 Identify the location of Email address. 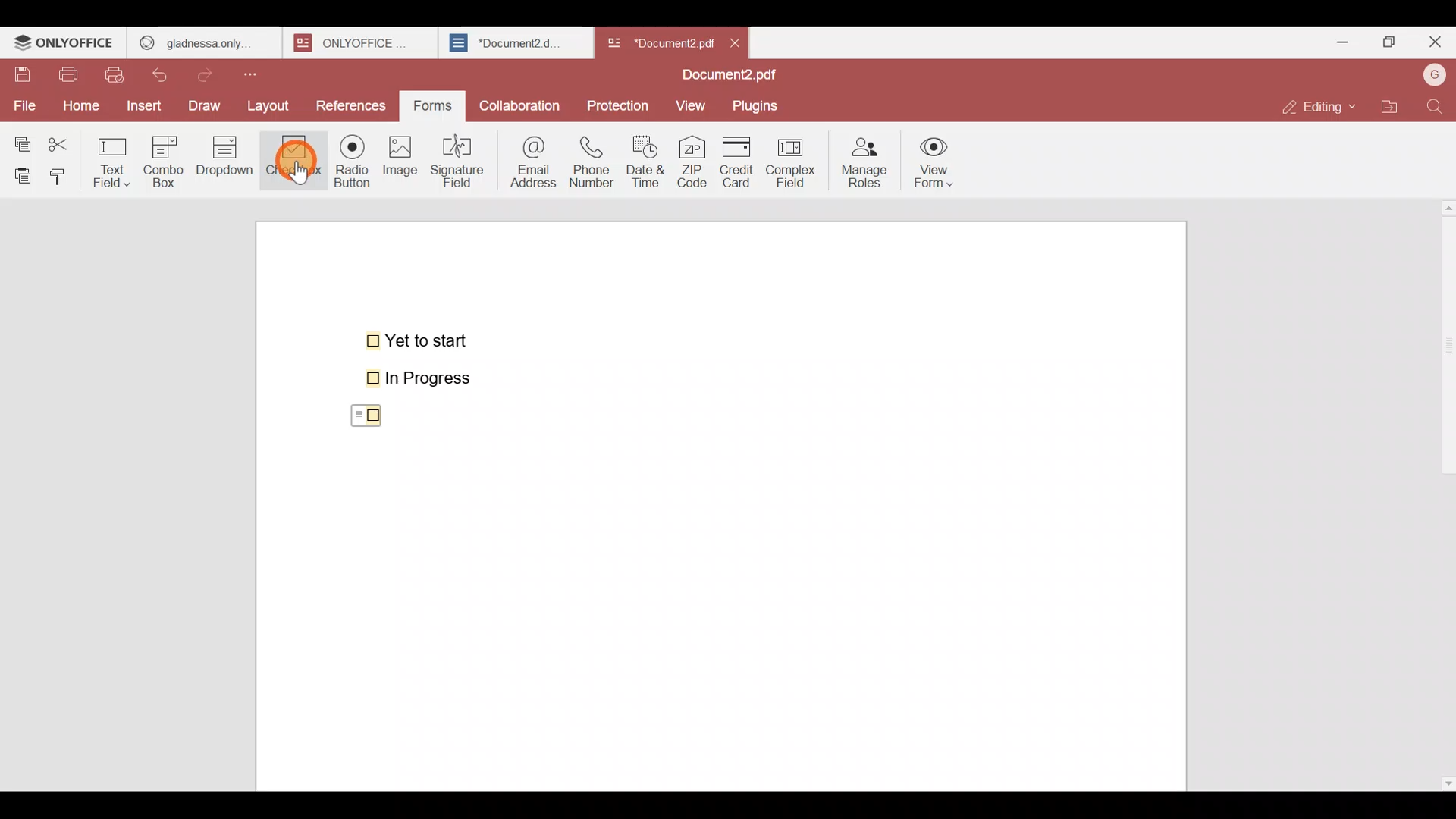
(530, 160).